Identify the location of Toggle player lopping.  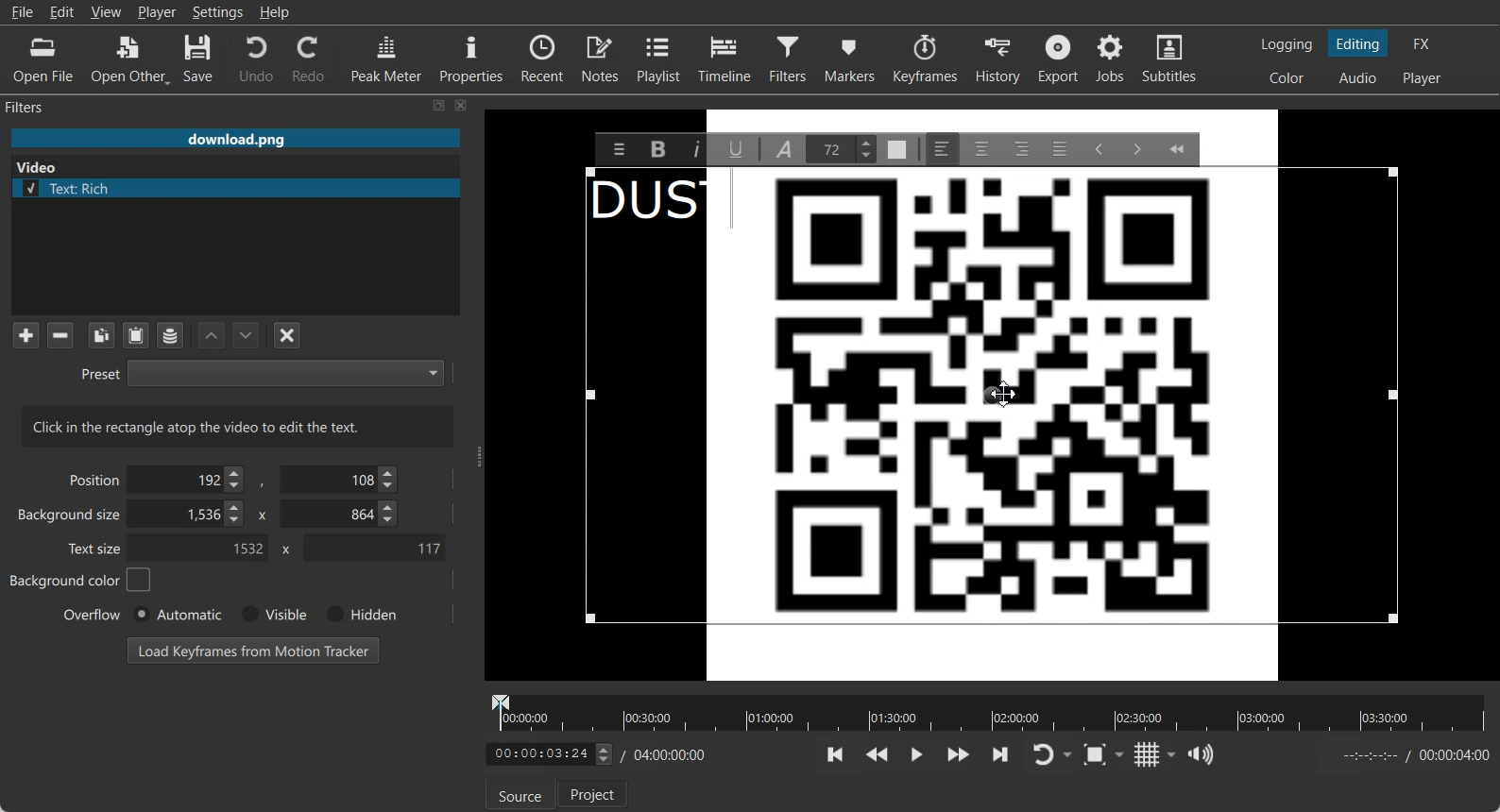
(1040, 755).